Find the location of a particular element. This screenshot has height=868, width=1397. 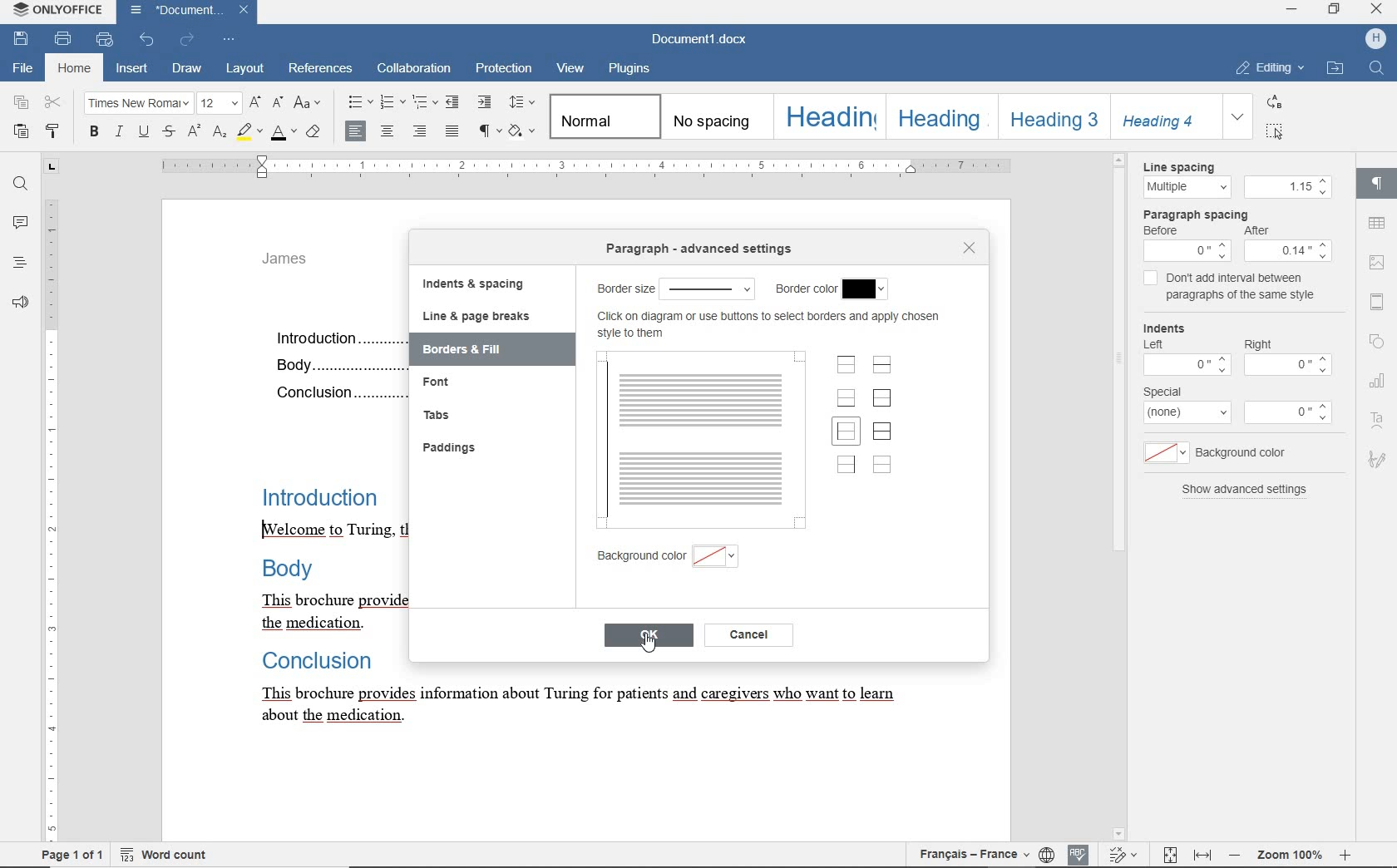

Welcome to Turing, is located at coordinates (327, 531).